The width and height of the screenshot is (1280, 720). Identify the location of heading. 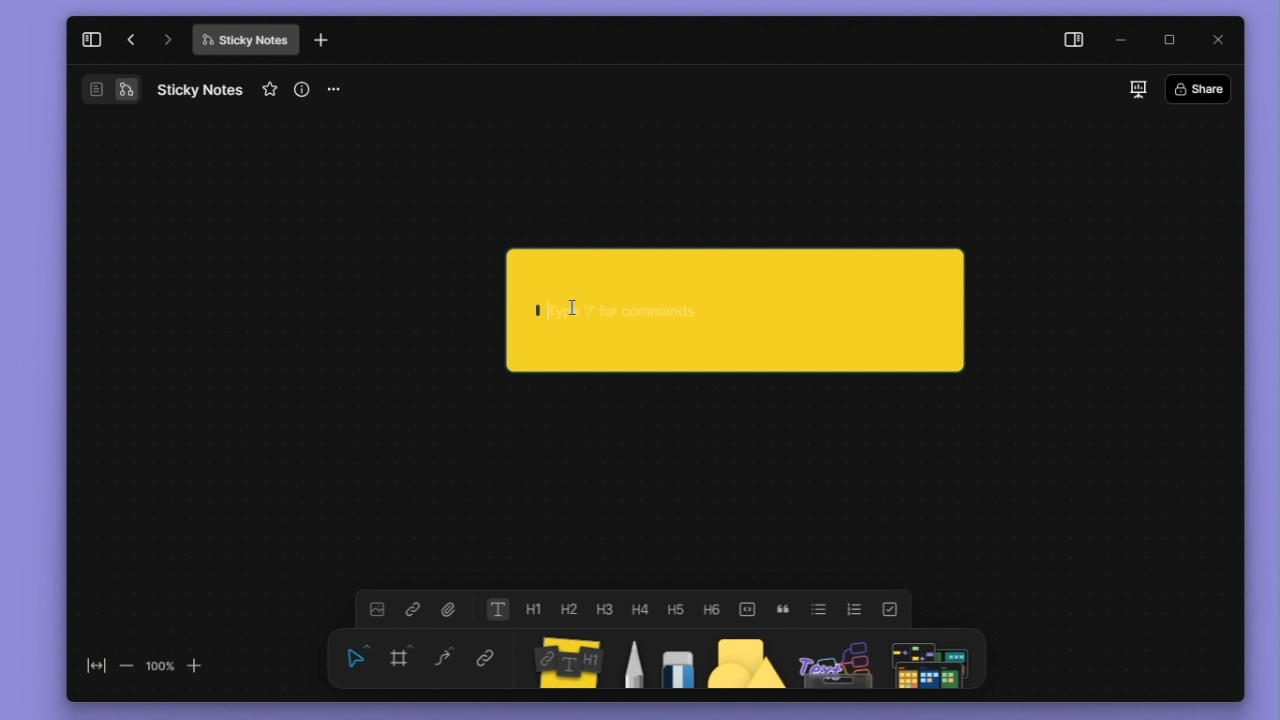
(642, 608).